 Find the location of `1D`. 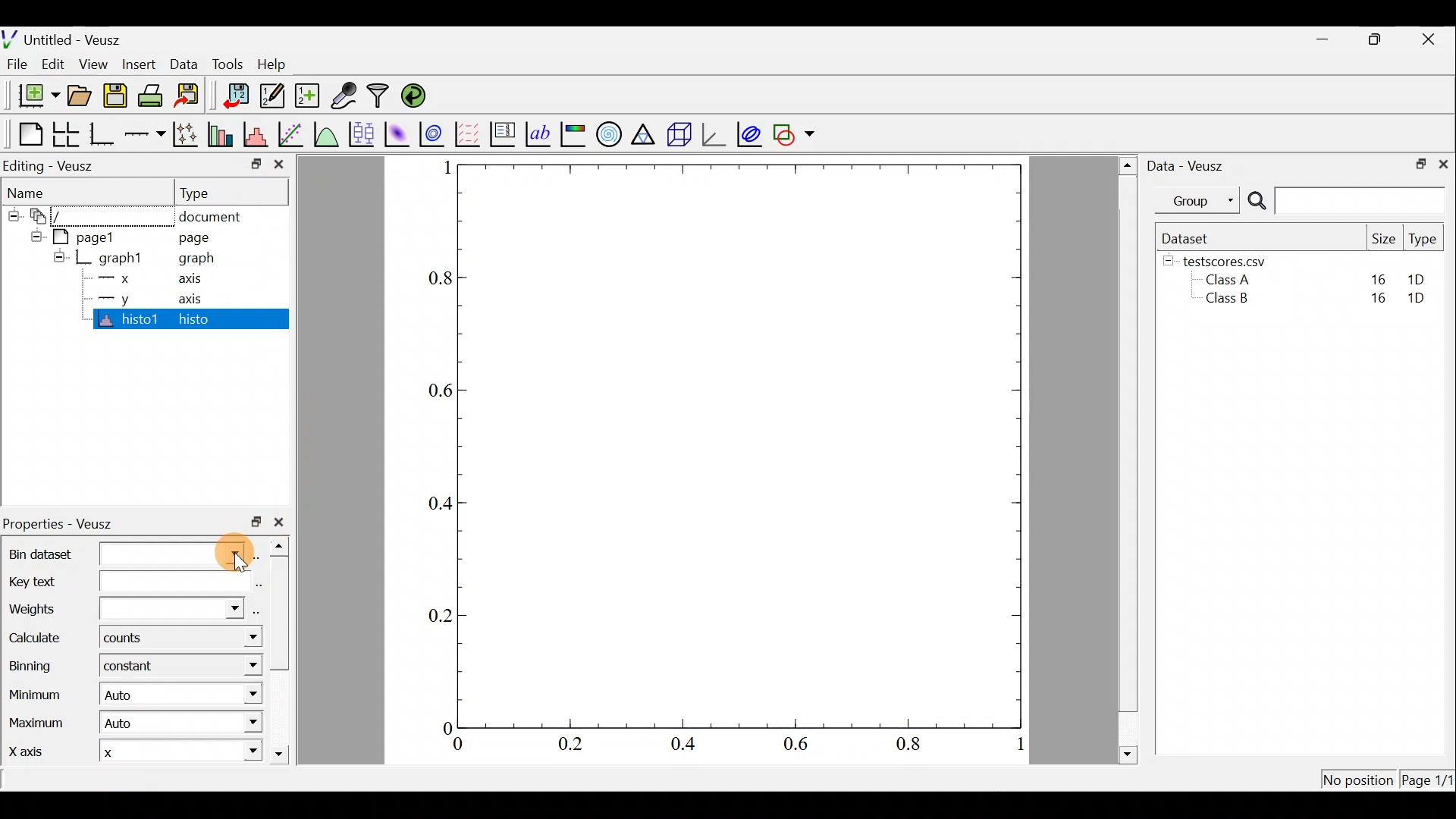

1D is located at coordinates (1423, 300).